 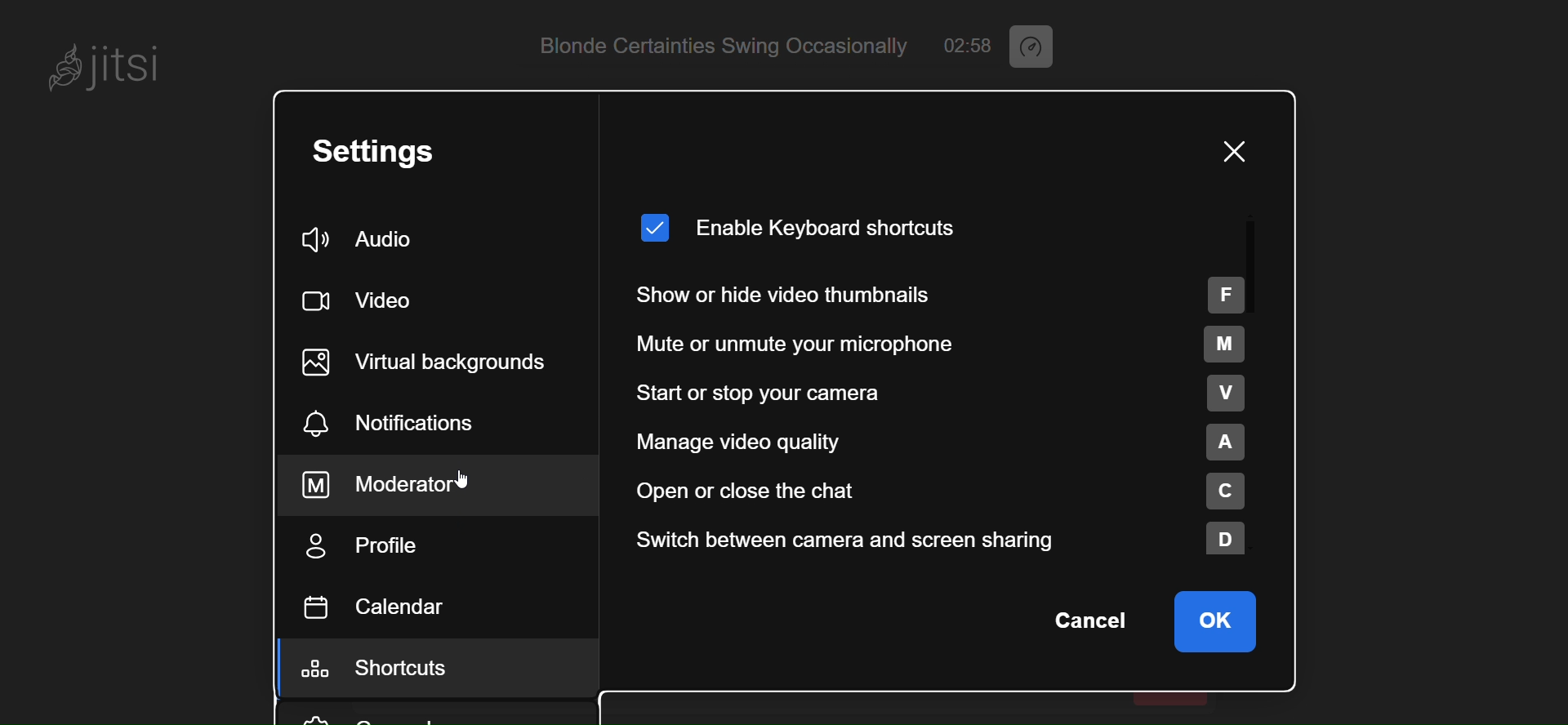 I want to click on notification, so click(x=390, y=426).